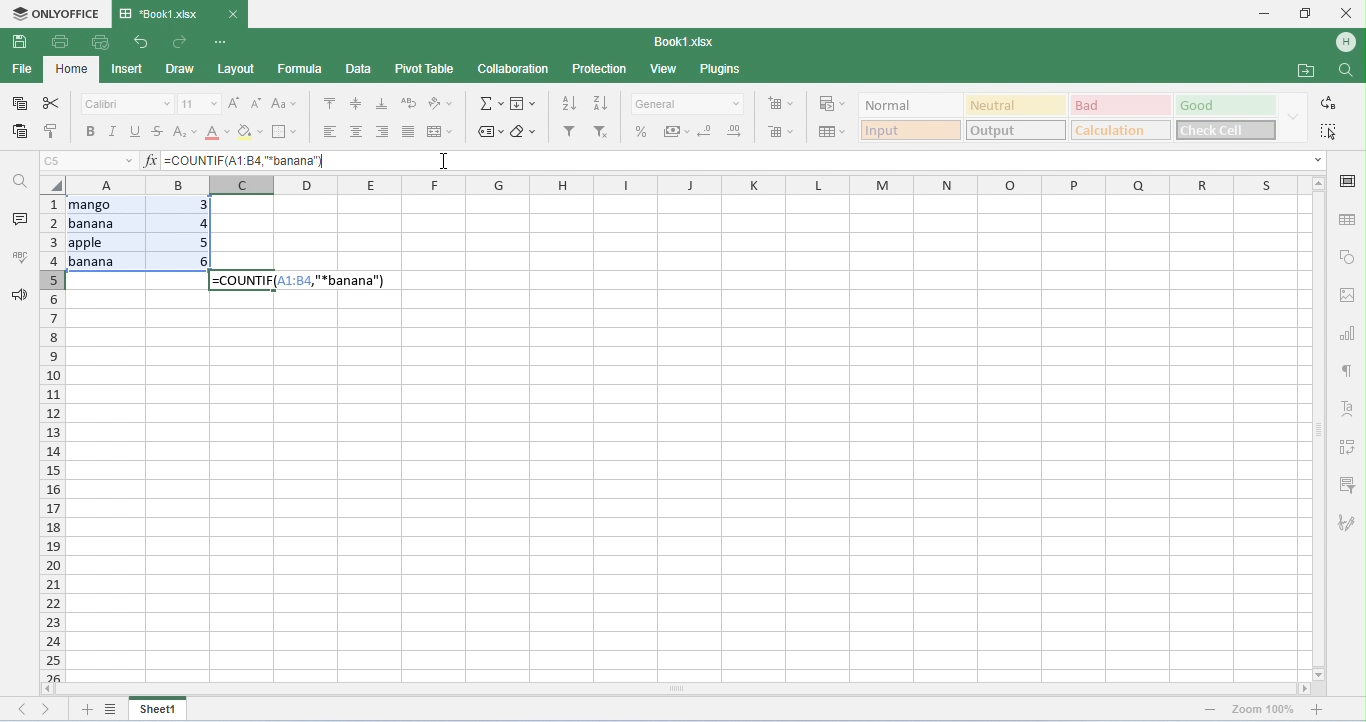  I want to click on comments, so click(23, 218).